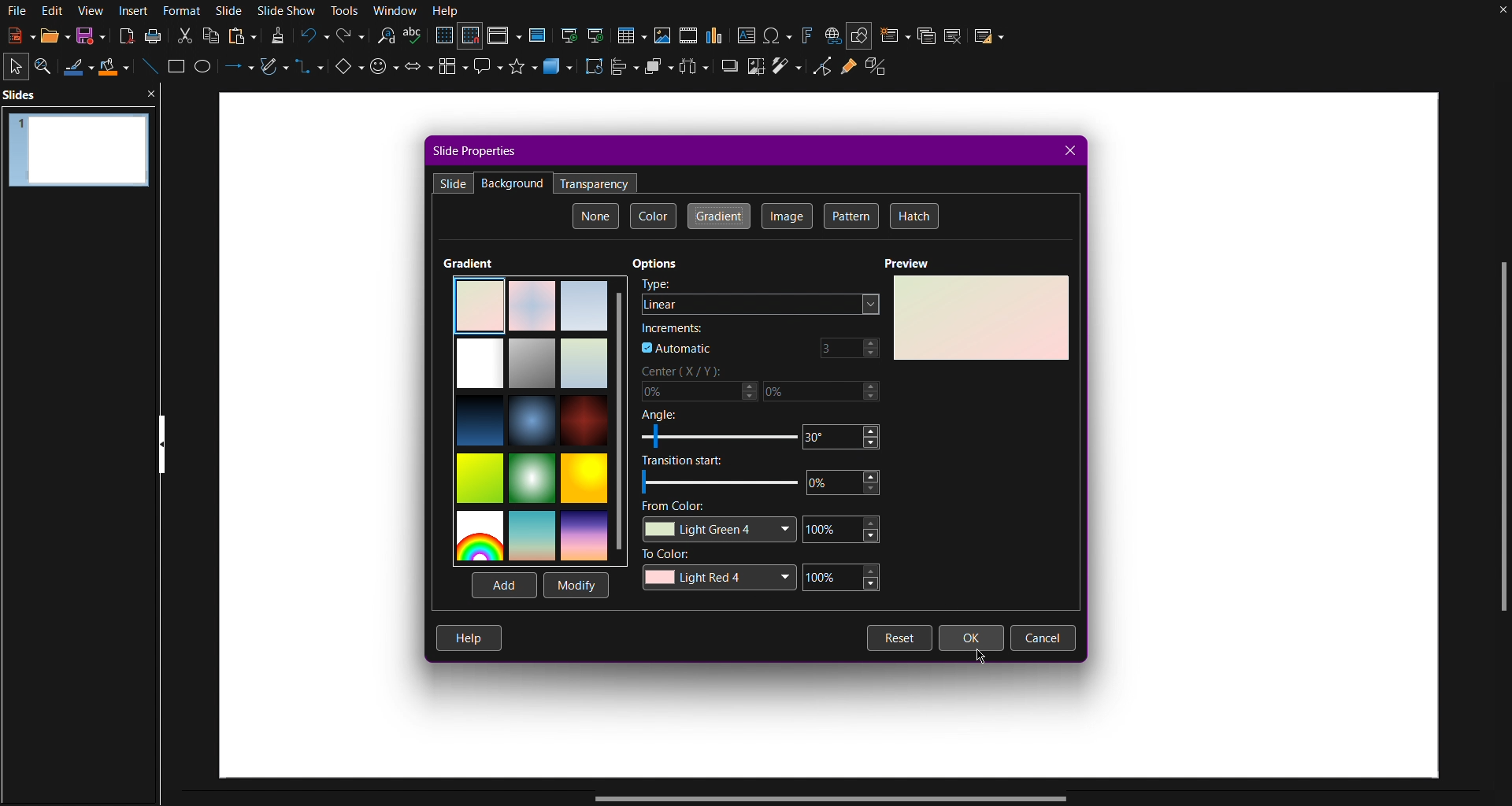 The image size is (1512, 806). What do you see at coordinates (1043, 638) in the screenshot?
I see `Cancel` at bounding box center [1043, 638].